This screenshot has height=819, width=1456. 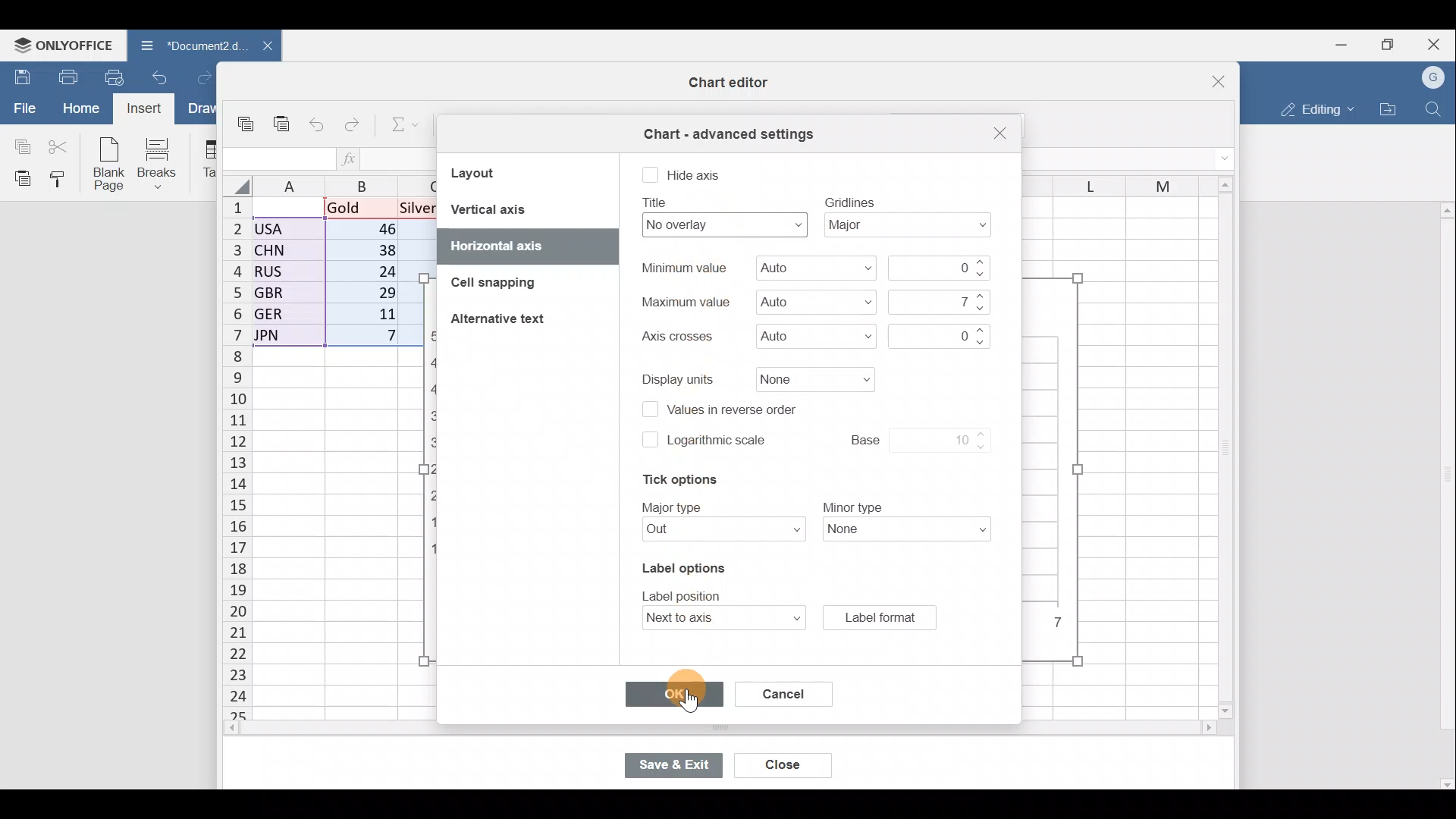 What do you see at coordinates (64, 77) in the screenshot?
I see `Print file` at bounding box center [64, 77].